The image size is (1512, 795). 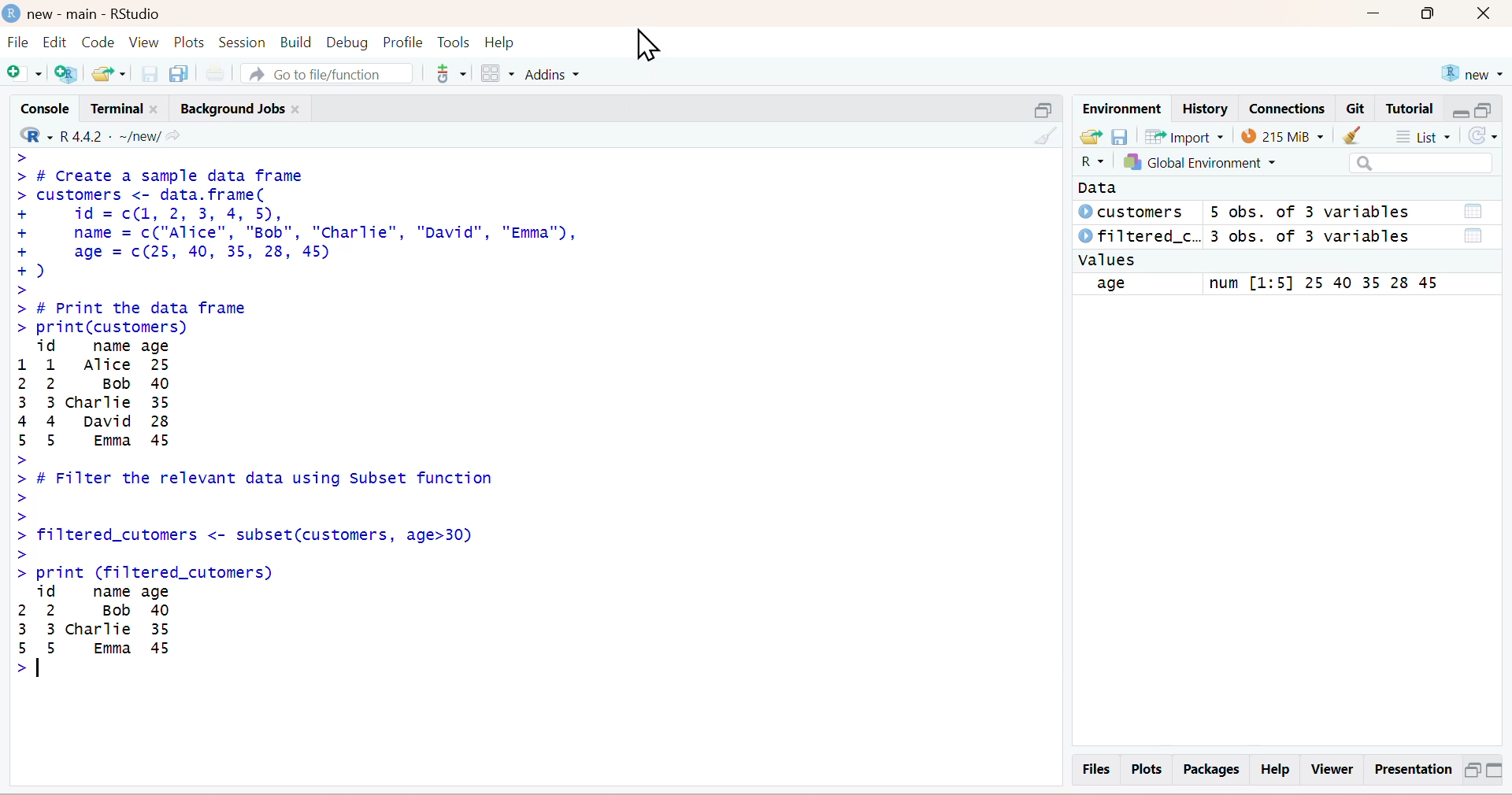 What do you see at coordinates (41, 106) in the screenshot?
I see `Console` at bounding box center [41, 106].